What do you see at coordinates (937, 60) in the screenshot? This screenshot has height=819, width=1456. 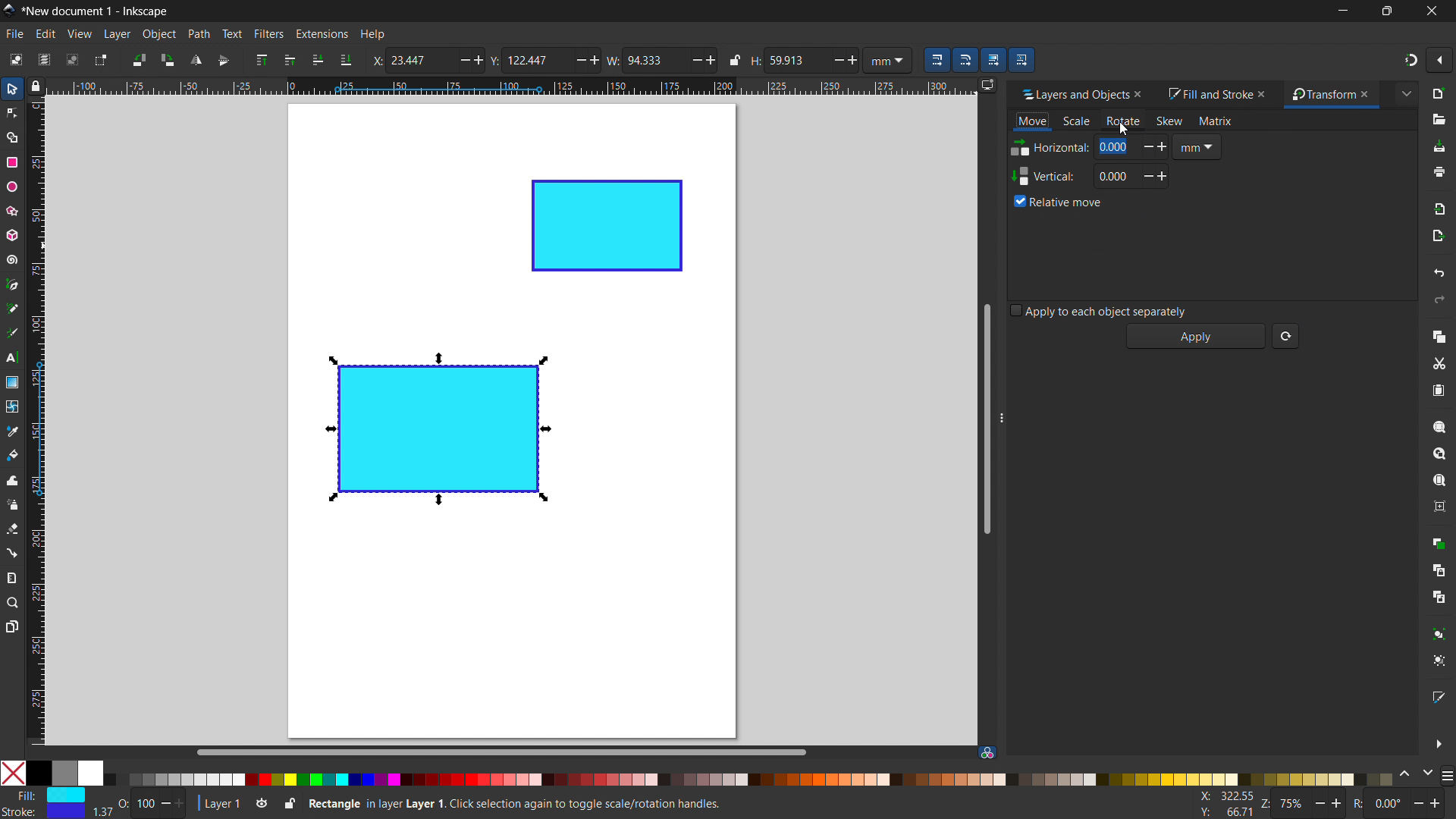 I see `when scaling objects, scale the stroke width by same proportion` at bounding box center [937, 60].